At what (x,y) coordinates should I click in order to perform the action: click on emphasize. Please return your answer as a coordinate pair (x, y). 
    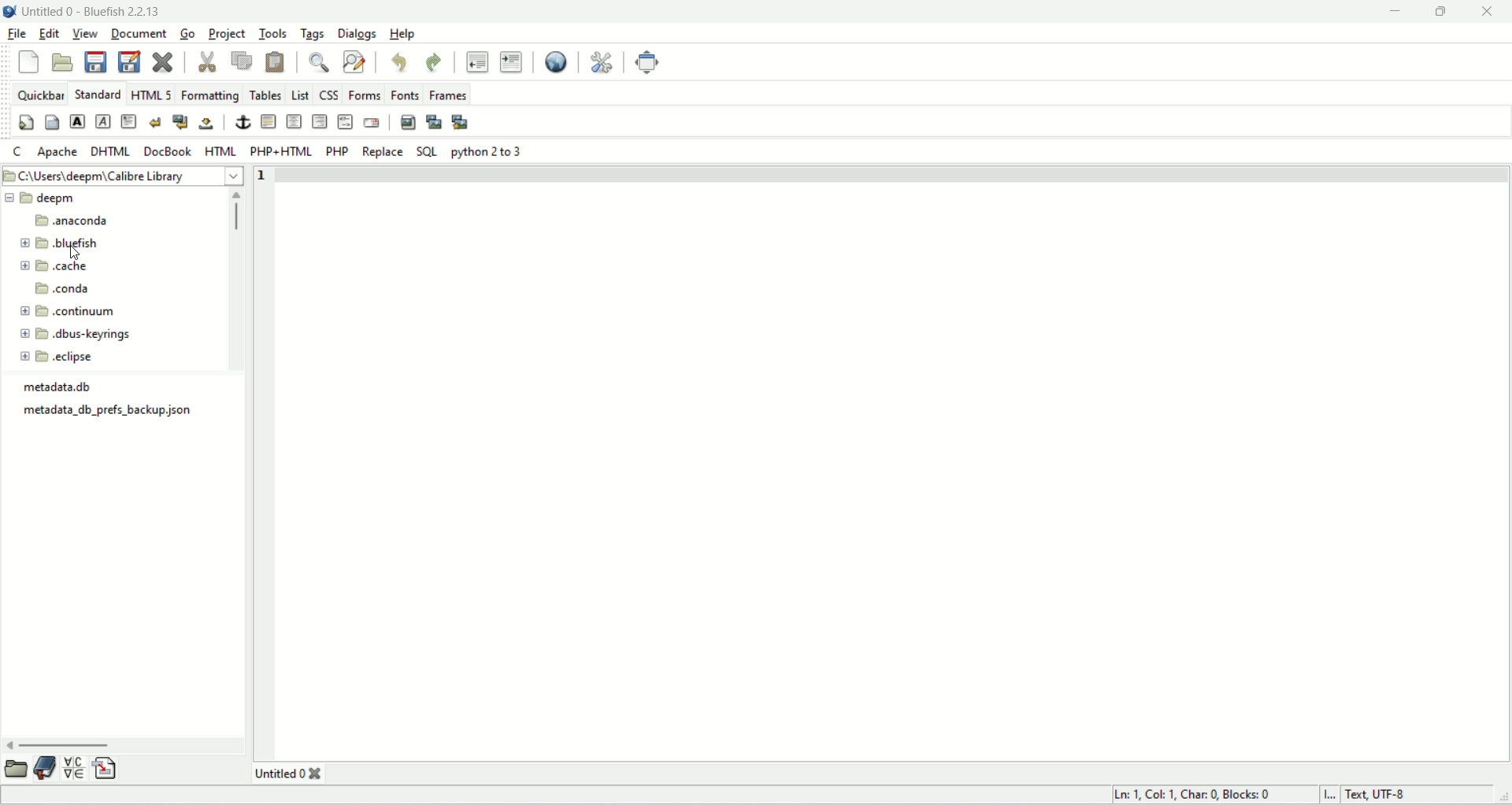
    Looking at the image, I should click on (104, 121).